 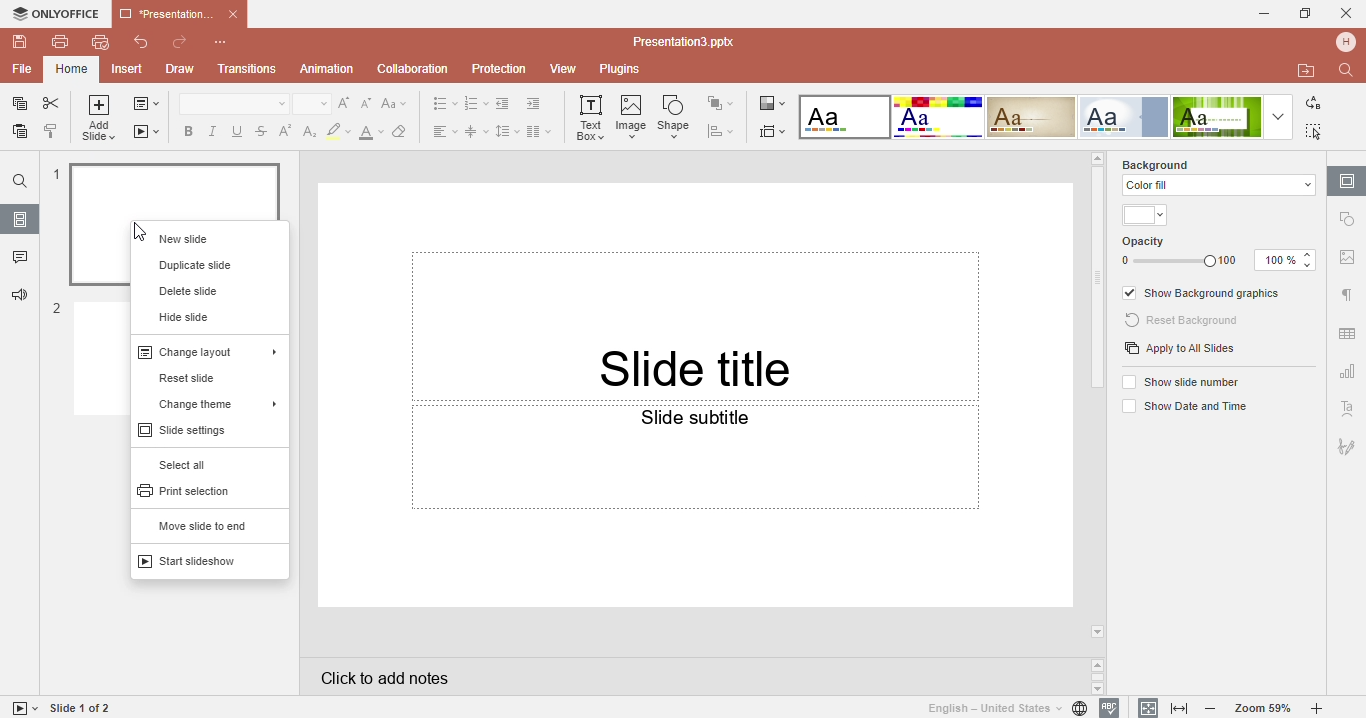 I want to click on Click to add notes, so click(x=692, y=676).